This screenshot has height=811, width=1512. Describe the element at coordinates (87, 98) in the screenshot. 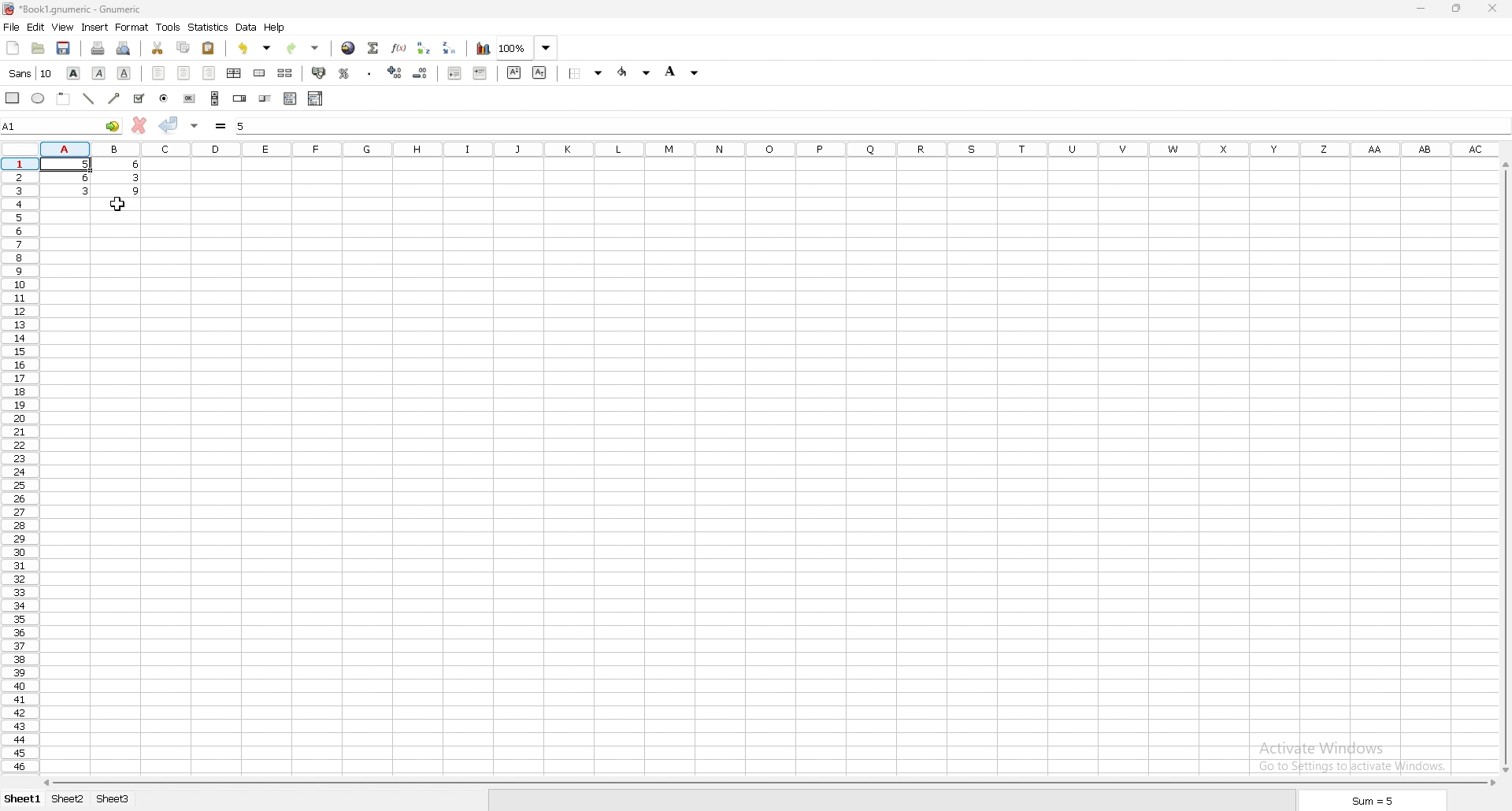

I see `line` at that location.